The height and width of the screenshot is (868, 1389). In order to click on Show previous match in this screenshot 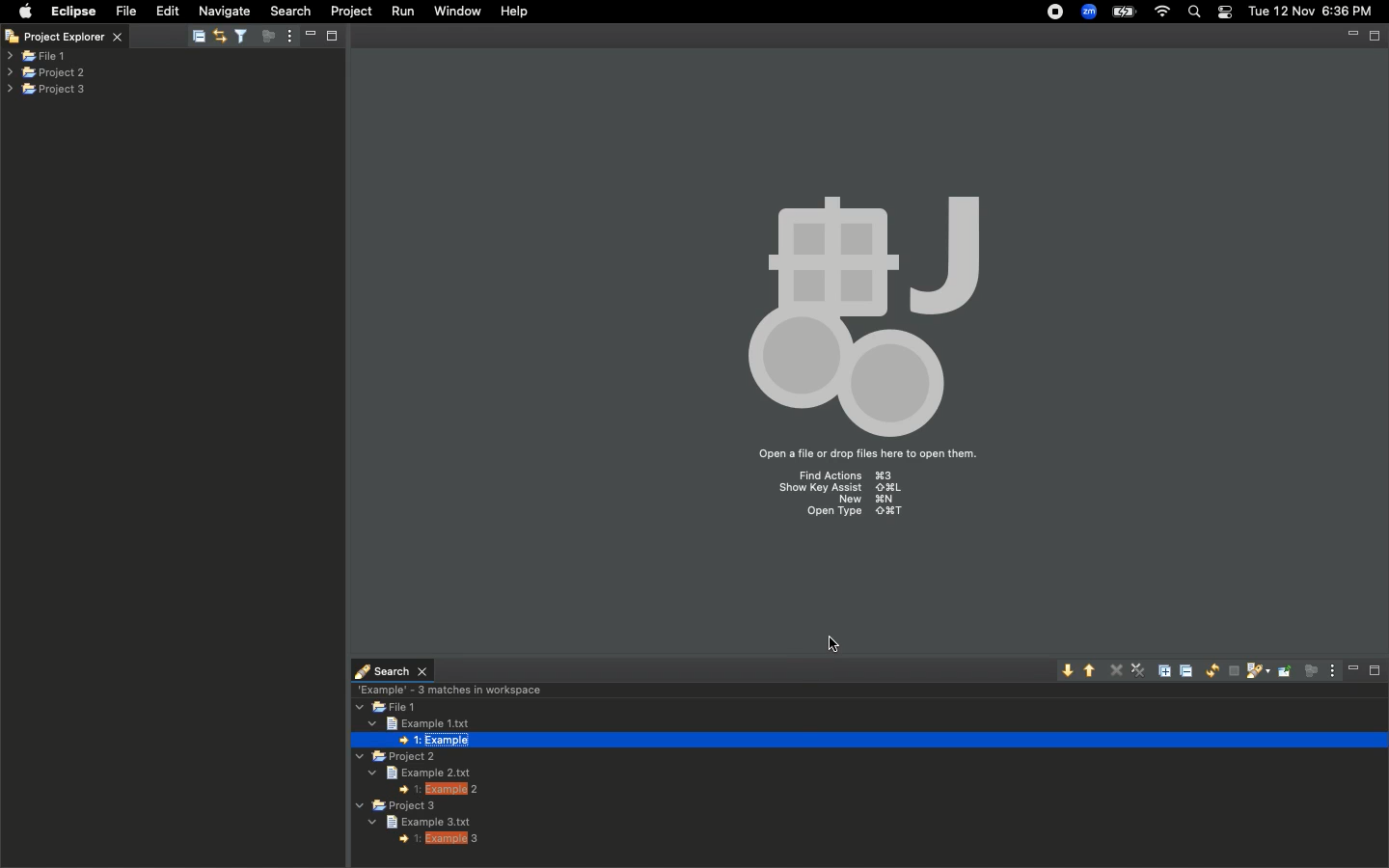, I will do `click(1093, 669)`.